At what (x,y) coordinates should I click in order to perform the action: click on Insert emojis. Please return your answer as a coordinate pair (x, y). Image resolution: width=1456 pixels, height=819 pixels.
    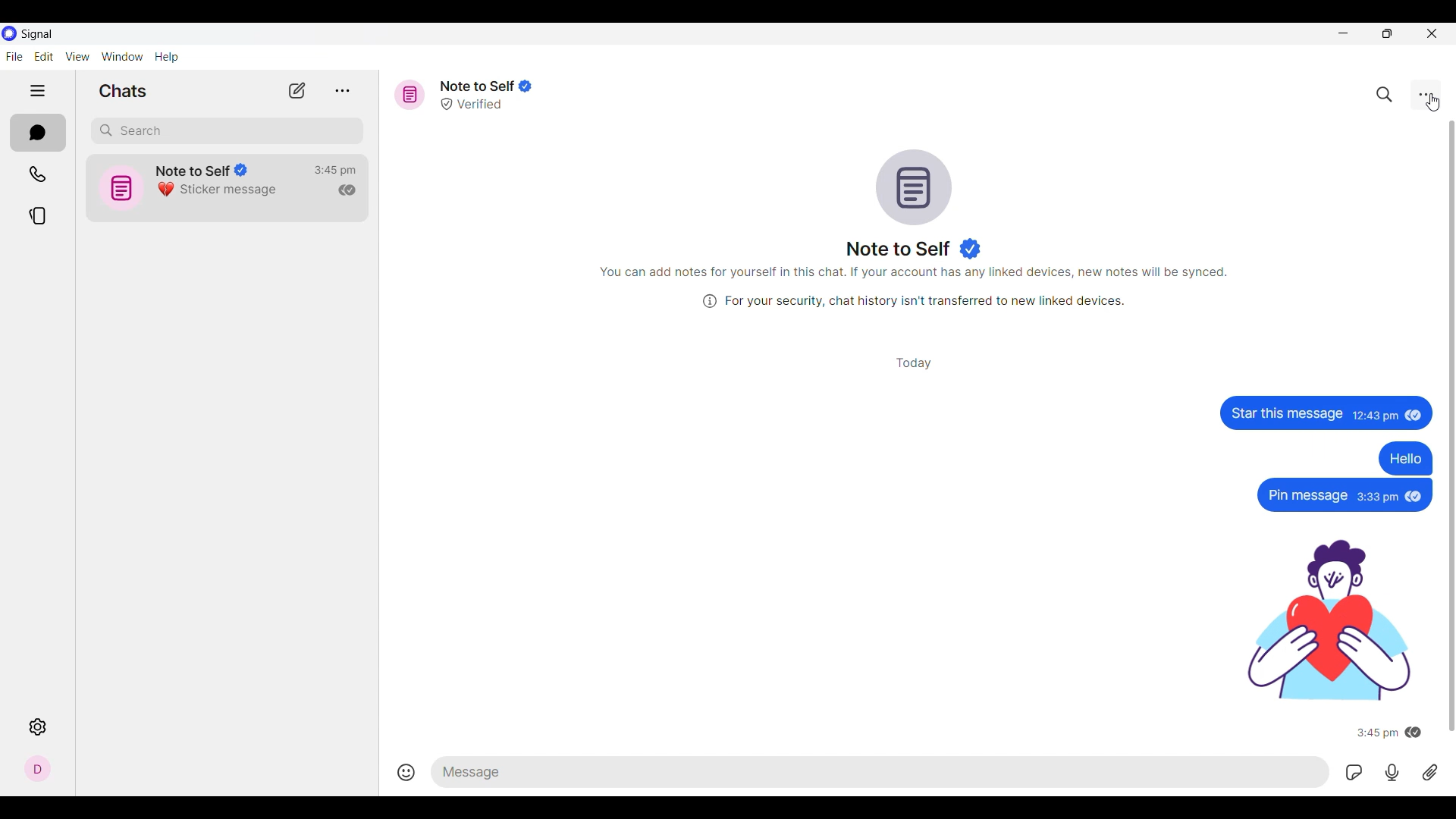
    Looking at the image, I should click on (406, 772).